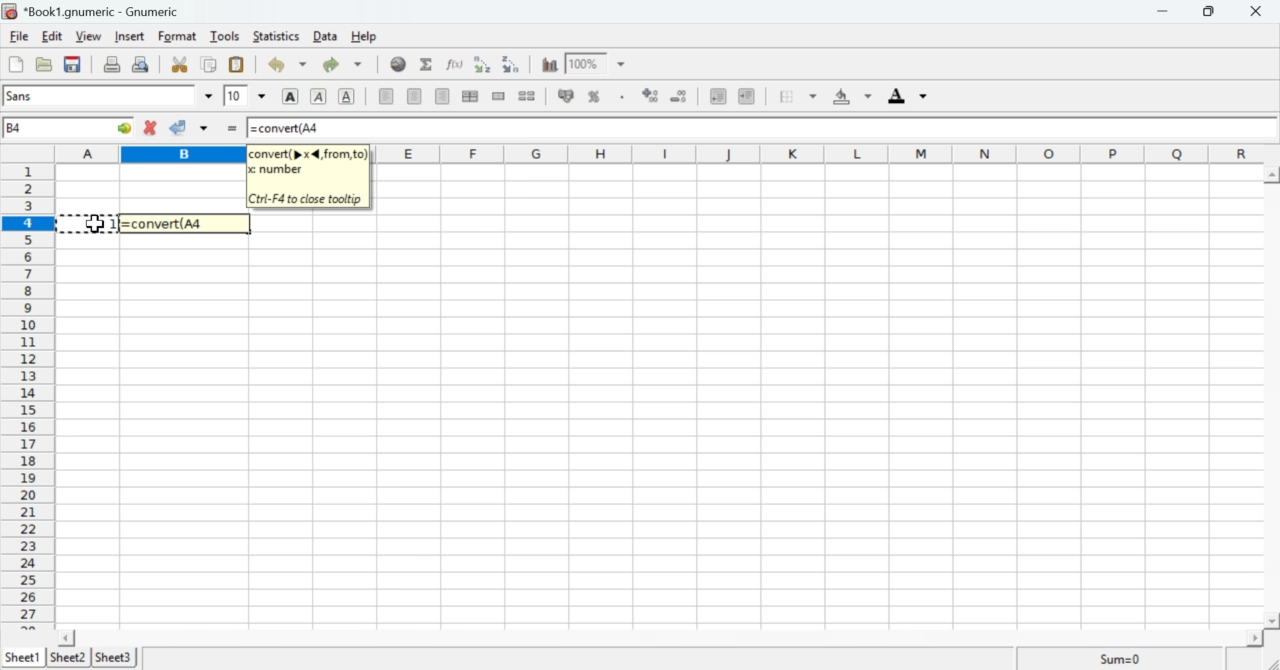 This screenshot has height=670, width=1280. Describe the element at coordinates (238, 63) in the screenshot. I see `Paste the clipboard` at that location.